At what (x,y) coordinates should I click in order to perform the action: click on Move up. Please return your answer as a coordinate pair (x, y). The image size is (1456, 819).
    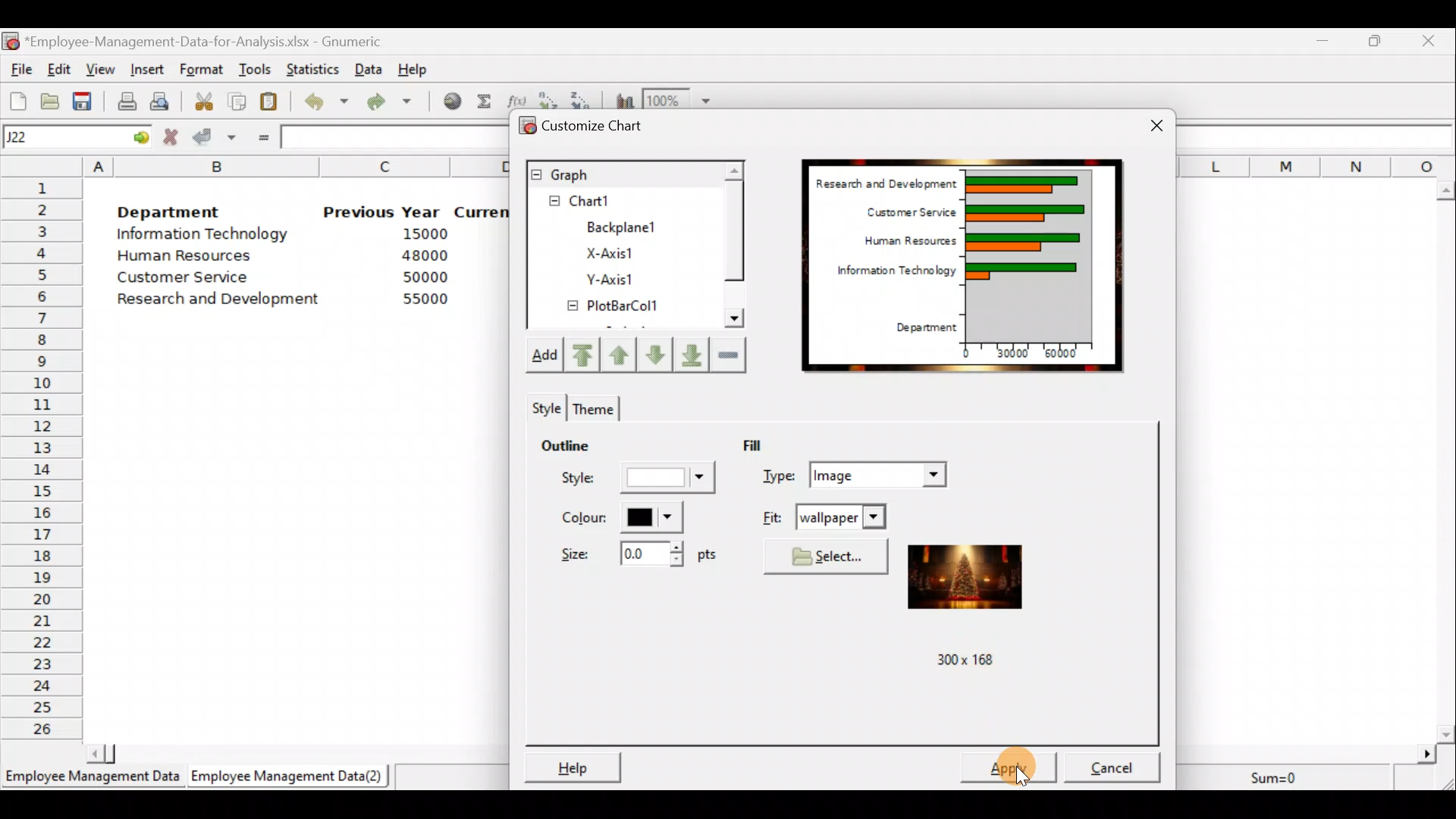
    Looking at the image, I should click on (620, 353).